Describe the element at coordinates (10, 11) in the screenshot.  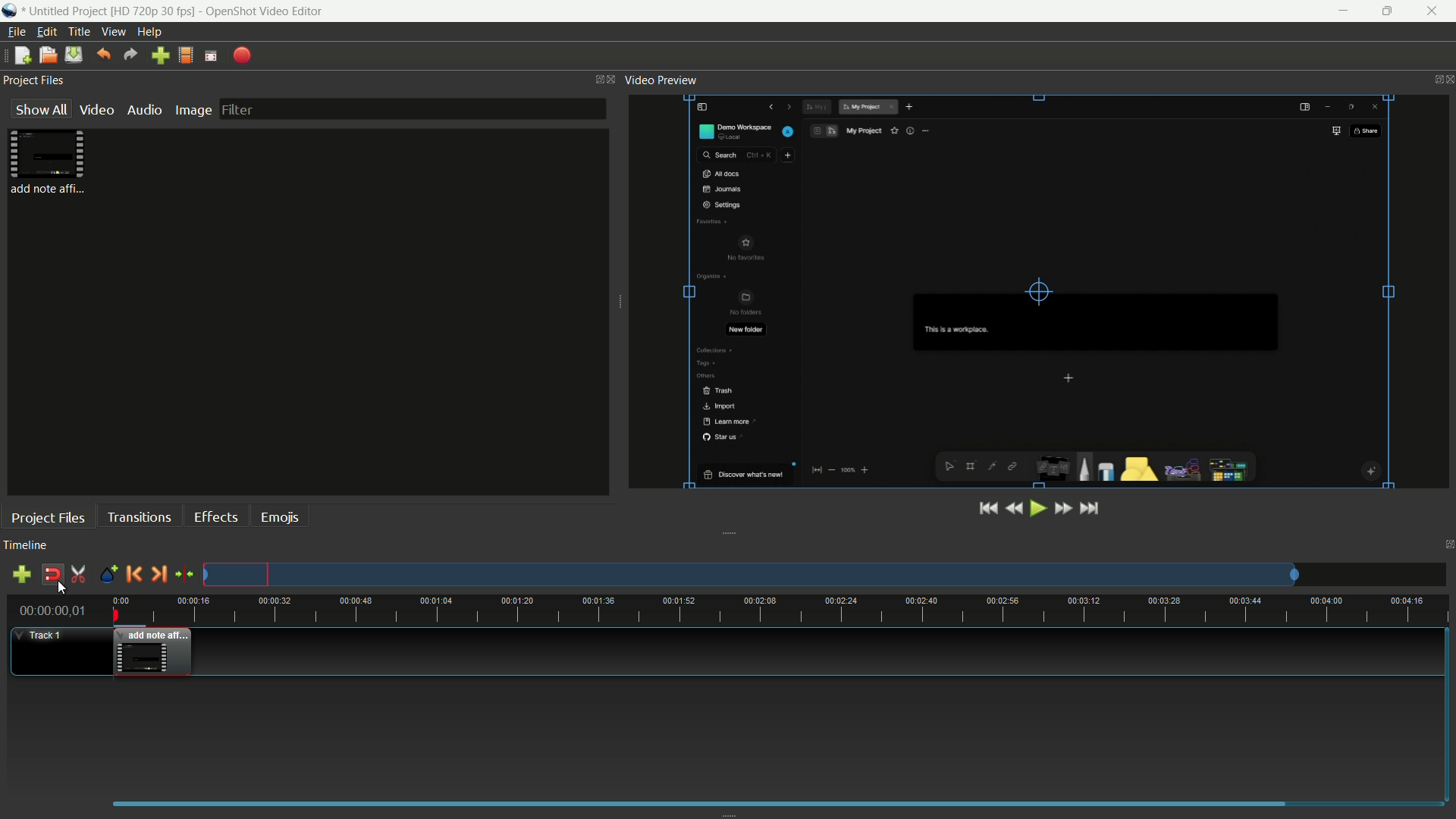
I see `app icon` at that location.